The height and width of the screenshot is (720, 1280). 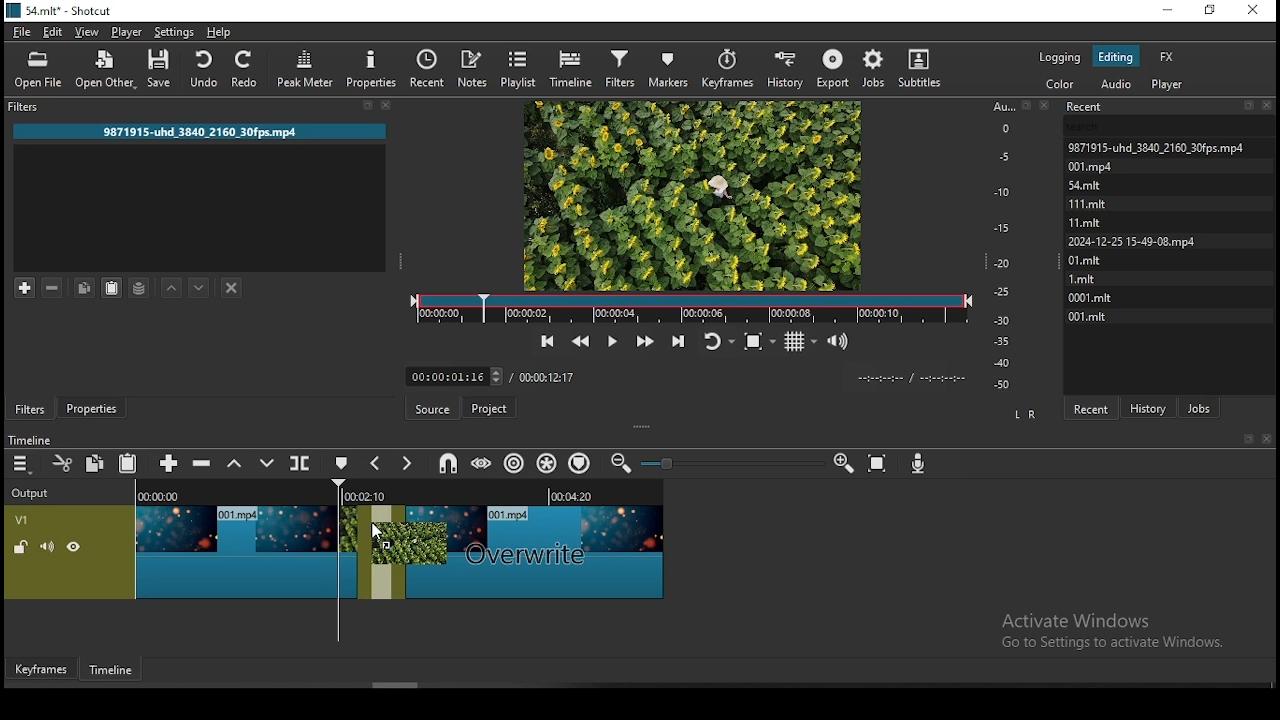 I want to click on deselect filter, so click(x=233, y=289).